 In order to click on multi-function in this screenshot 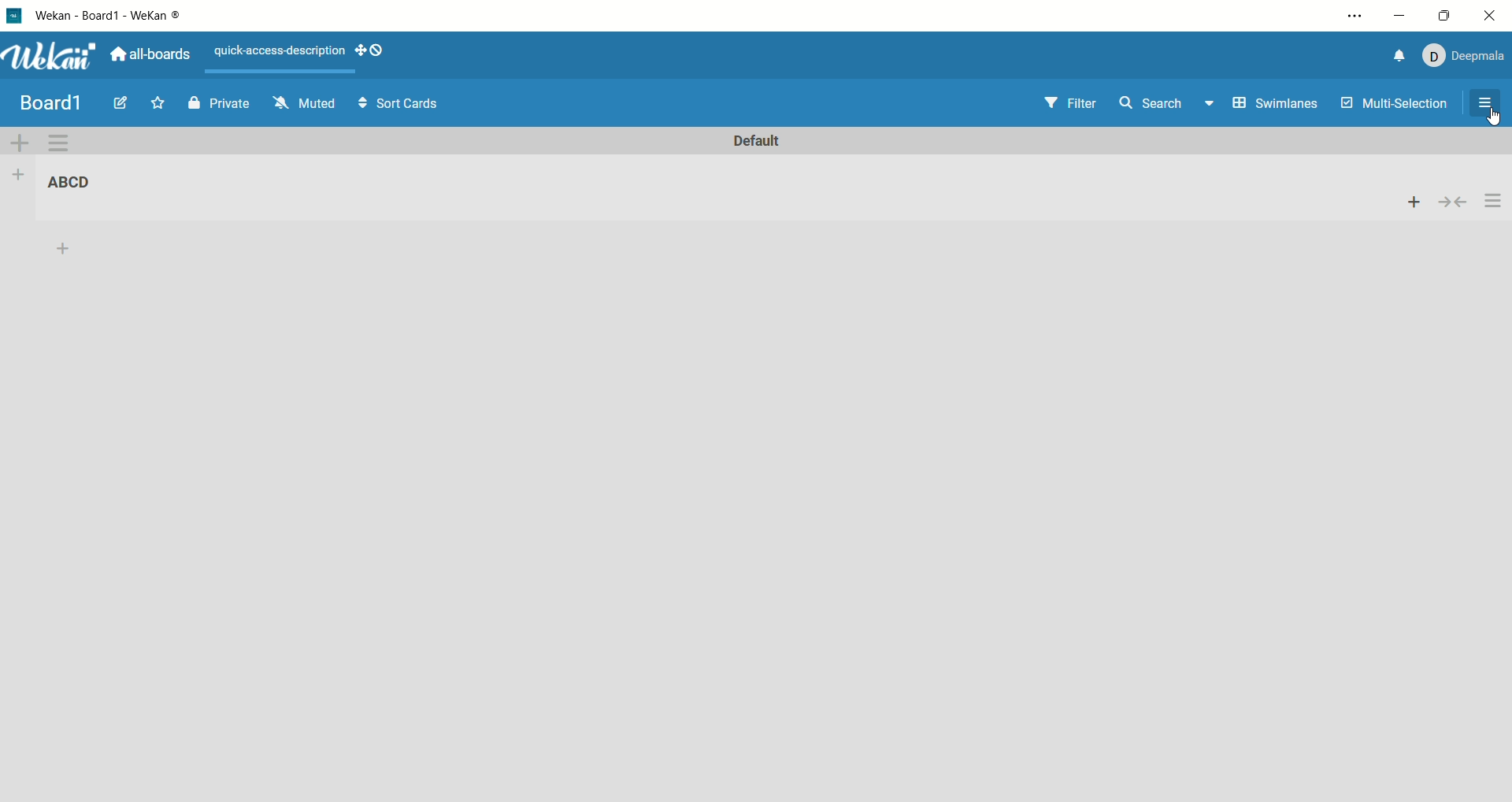, I will do `click(1392, 107)`.